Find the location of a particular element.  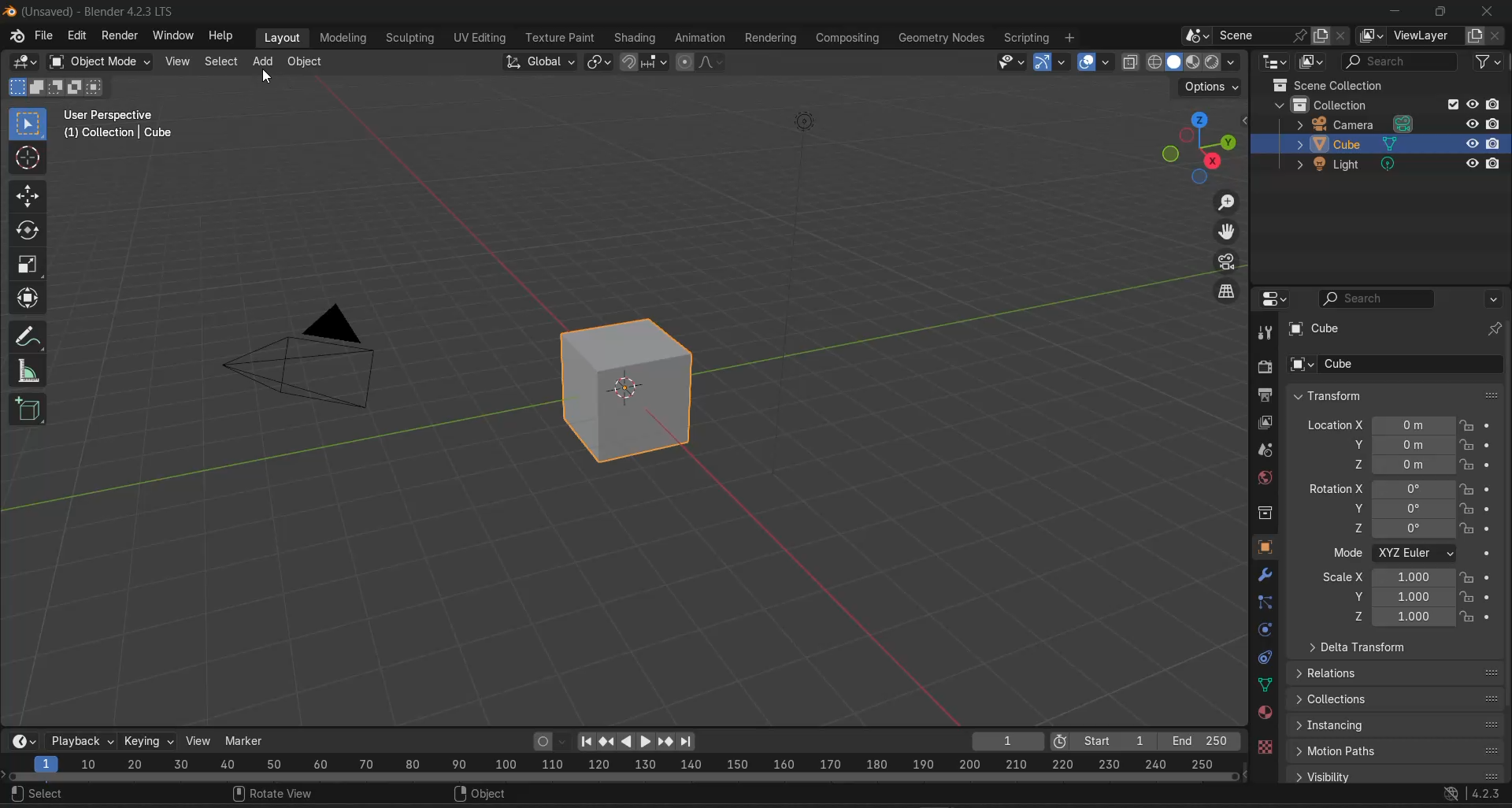

cube is located at coordinates (1358, 142).